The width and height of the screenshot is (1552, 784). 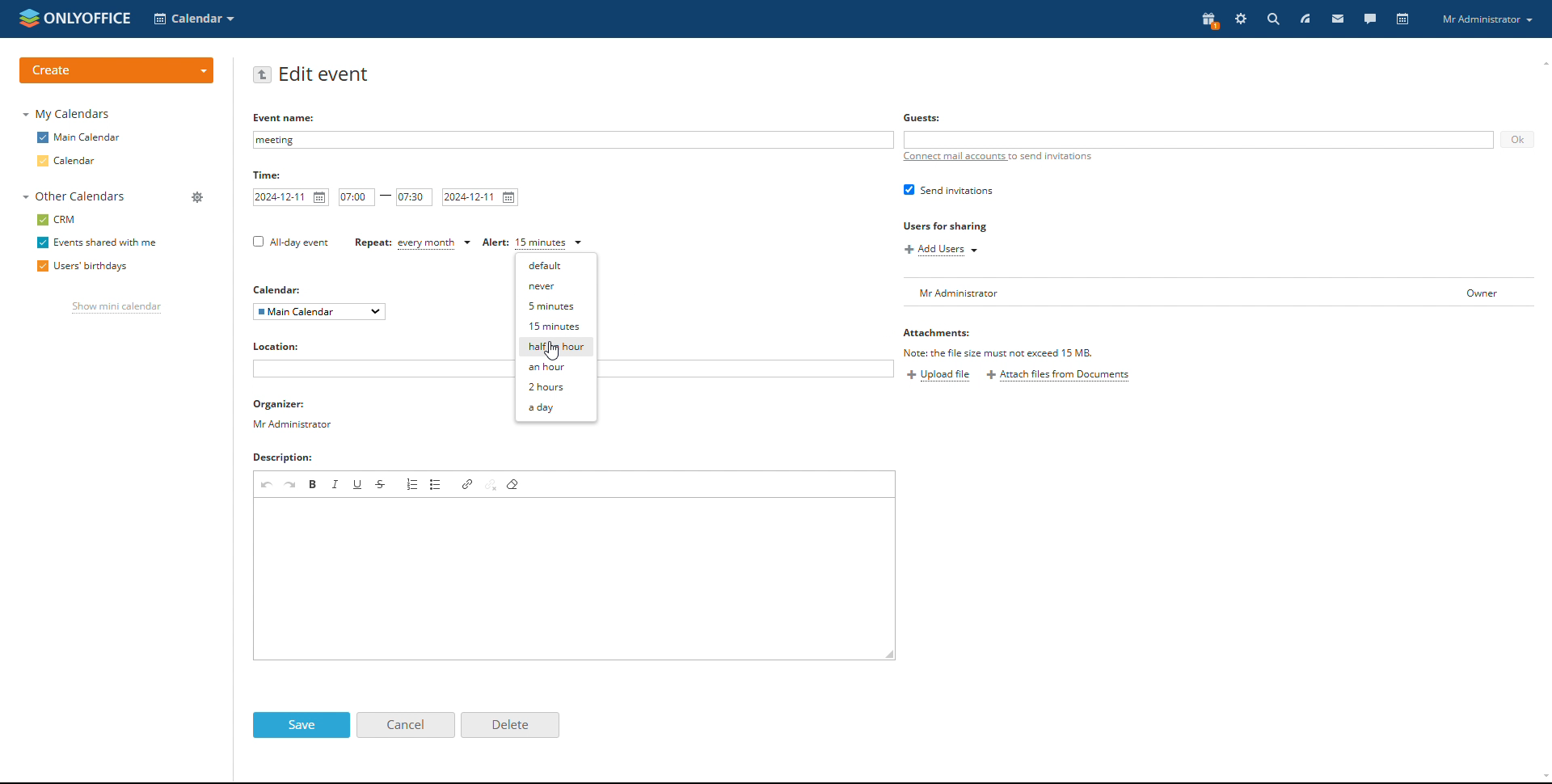 I want to click on an hour, so click(x=557, y=369).